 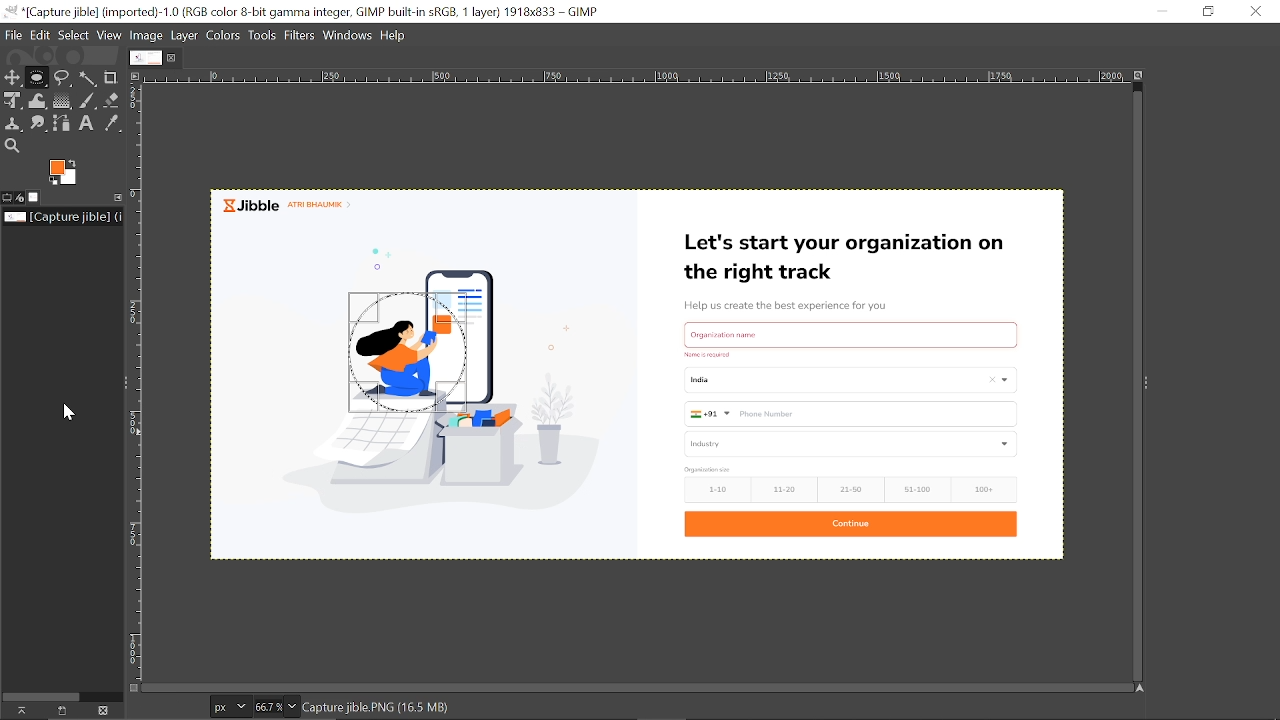 What do you see at coordinates (36, 197) in the screenshot?
I see `Images` at bounding box center [36, 197].